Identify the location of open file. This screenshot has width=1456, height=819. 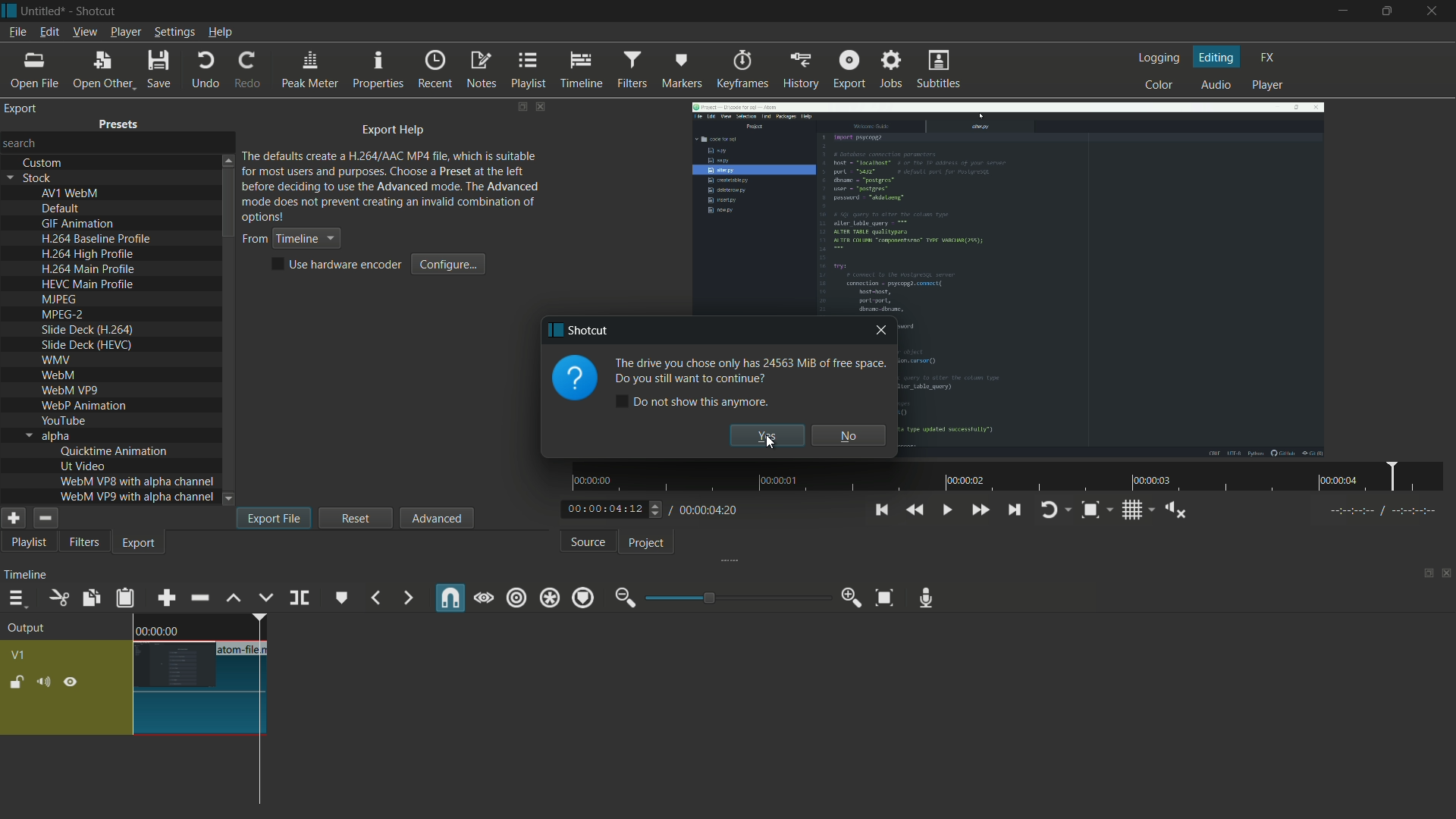
(37, 68).